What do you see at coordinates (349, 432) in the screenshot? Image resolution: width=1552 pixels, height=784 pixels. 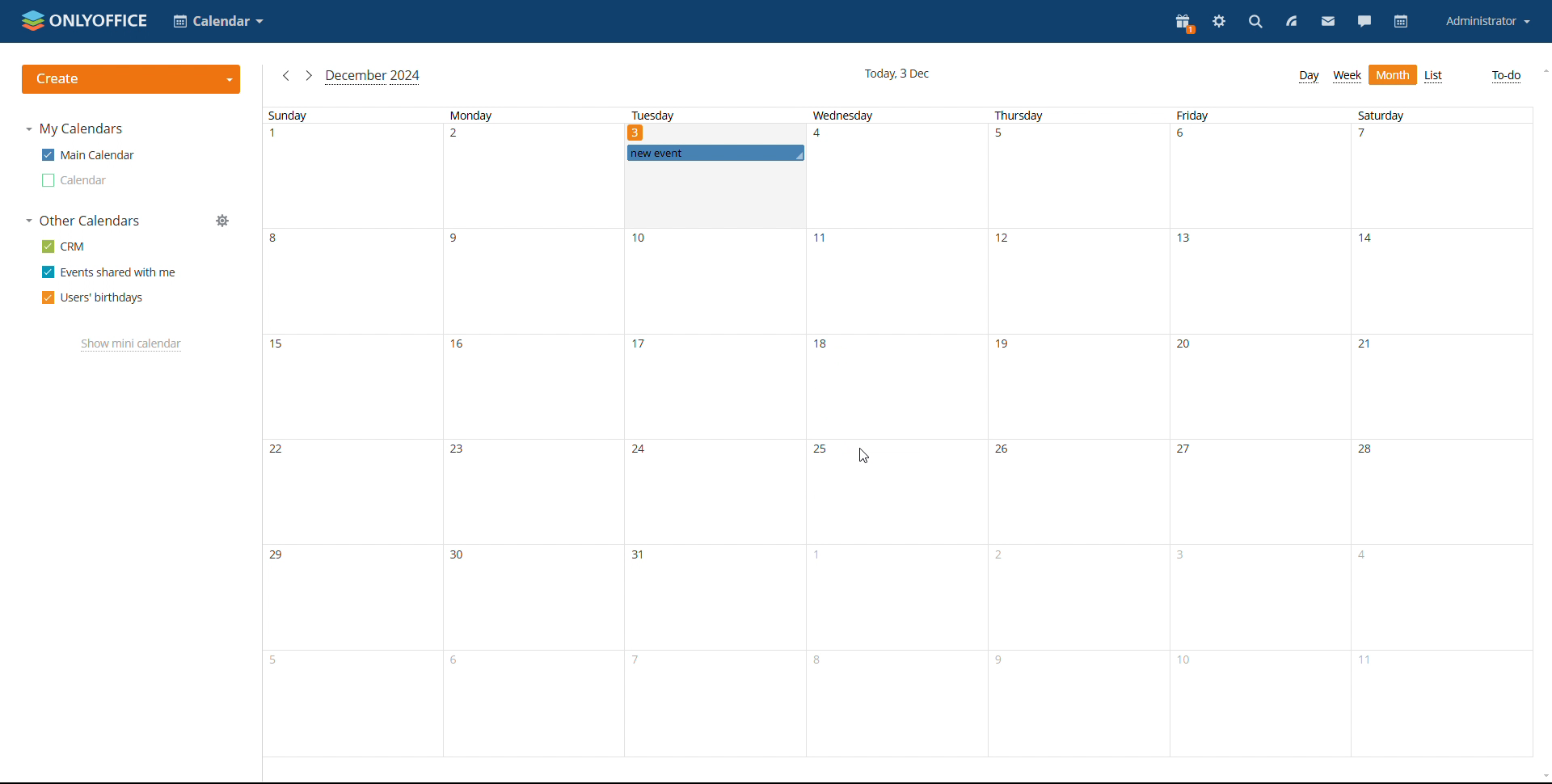 I see `sunday` at bounding box center [349, 432].